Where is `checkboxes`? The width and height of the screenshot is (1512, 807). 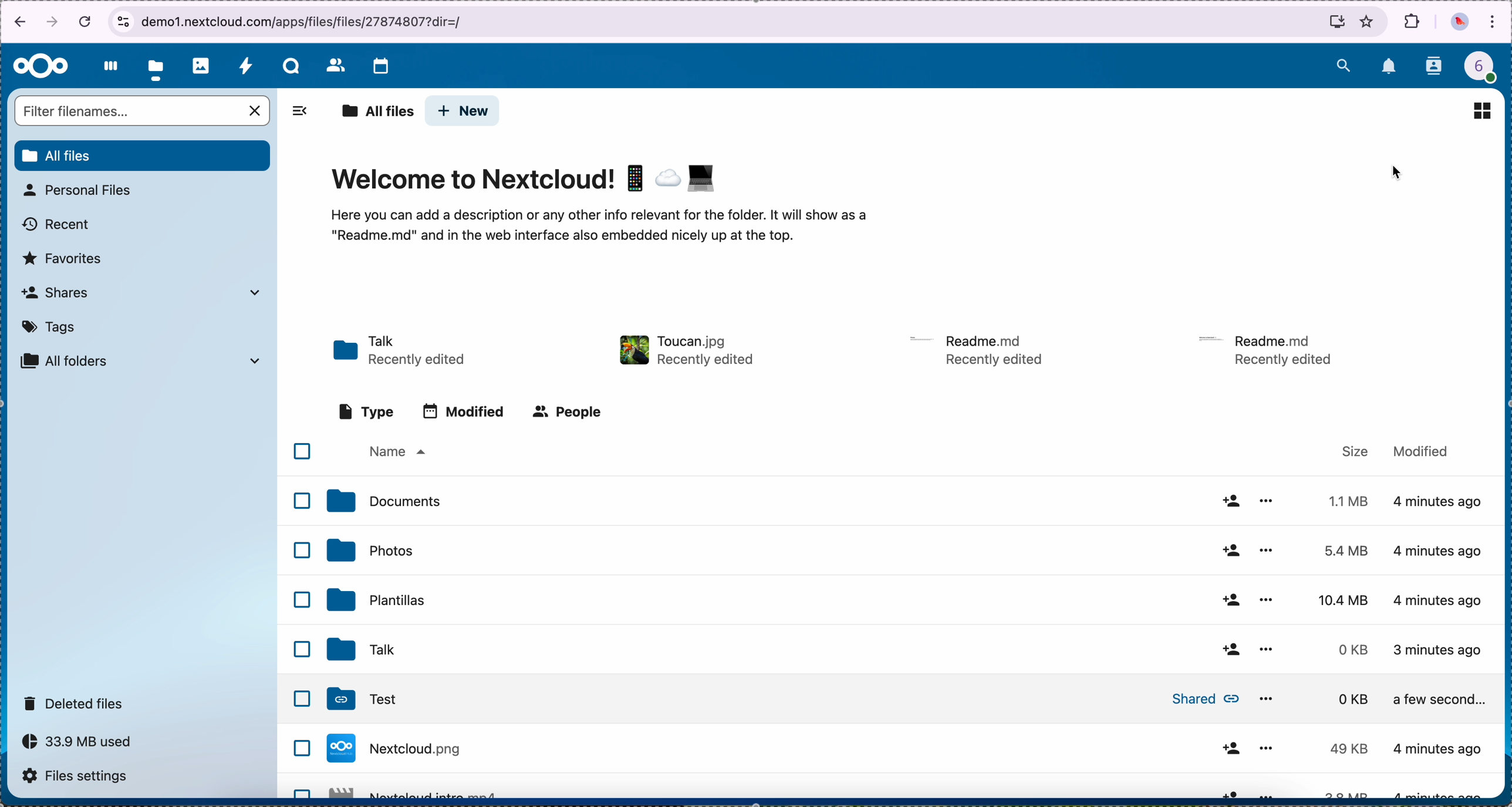 checkboxes is located at coordinates (301, 618).